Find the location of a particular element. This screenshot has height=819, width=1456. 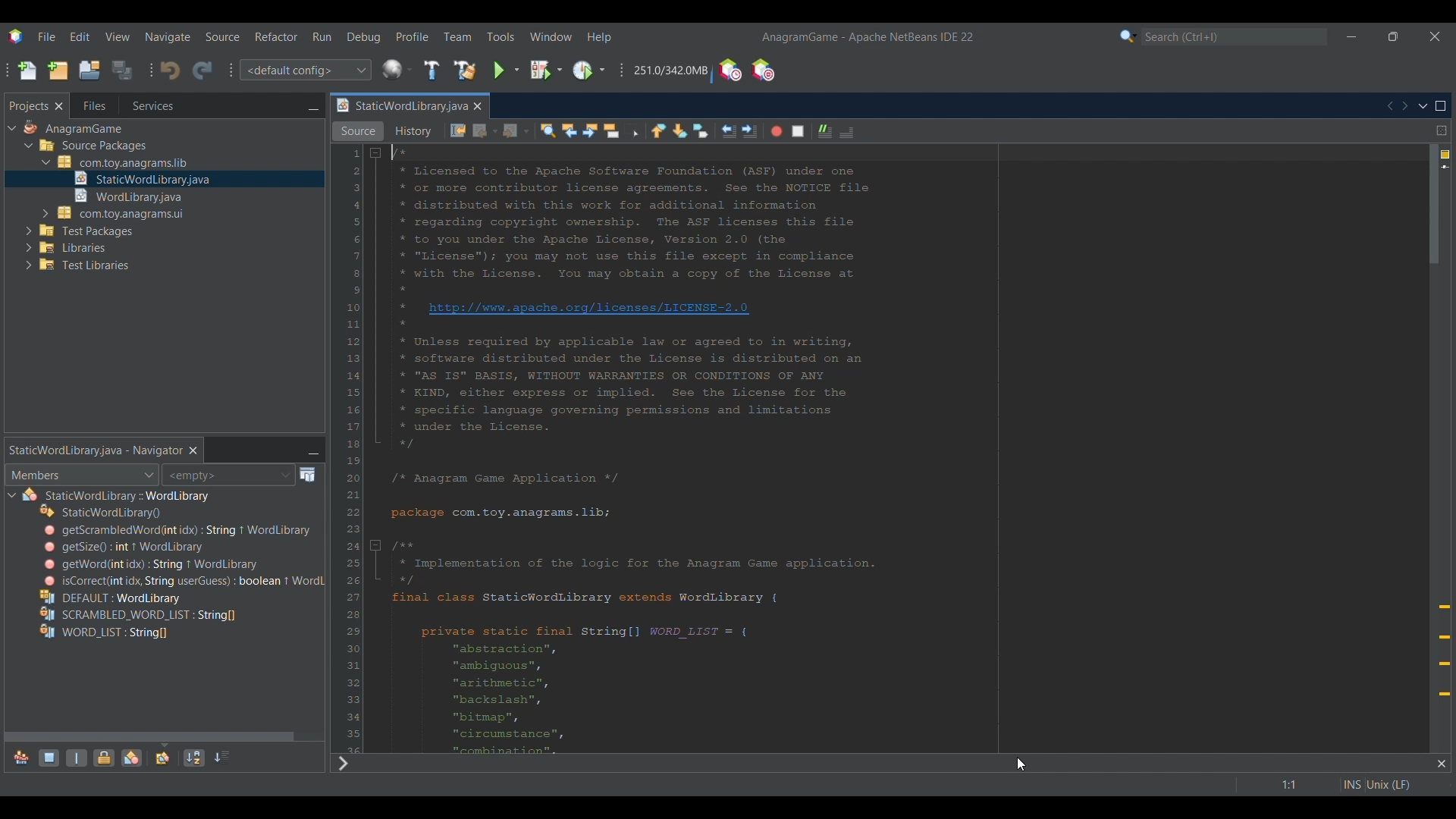

Run project options is located at coordinates (516, 70).